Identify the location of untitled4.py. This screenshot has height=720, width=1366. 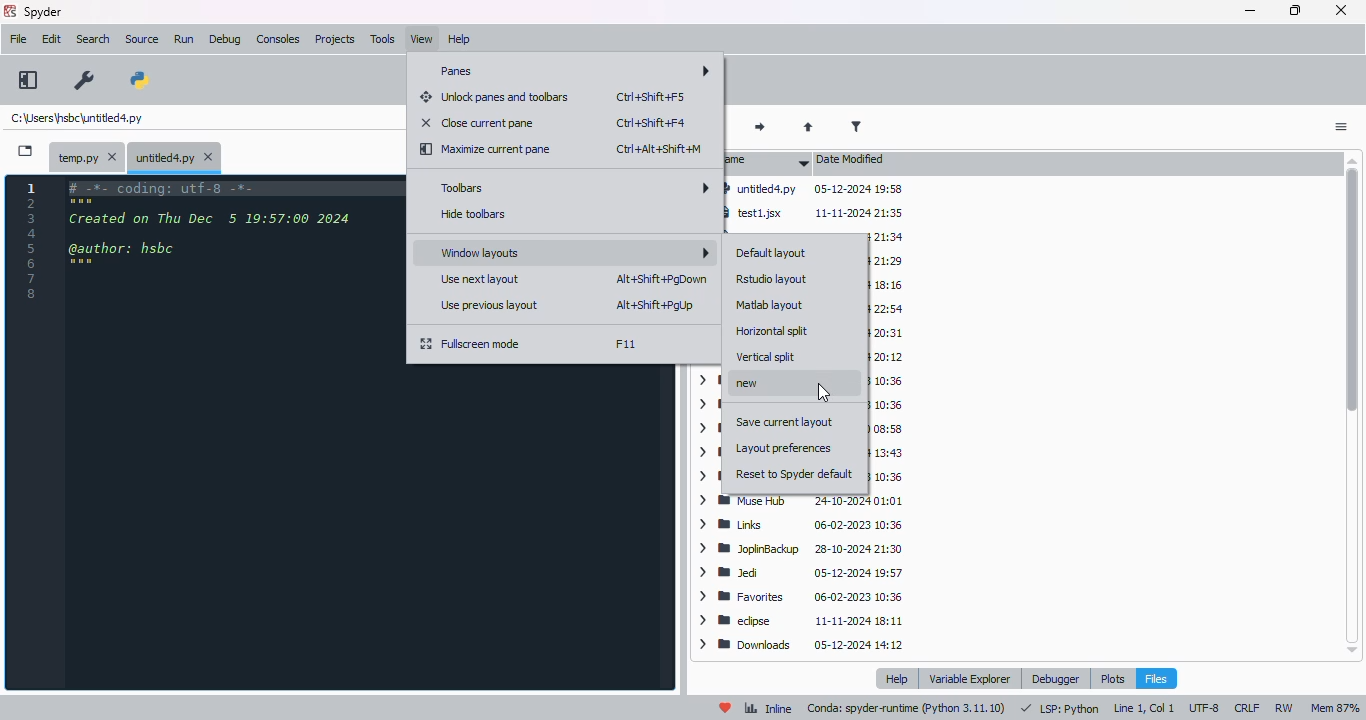
(76, 117).